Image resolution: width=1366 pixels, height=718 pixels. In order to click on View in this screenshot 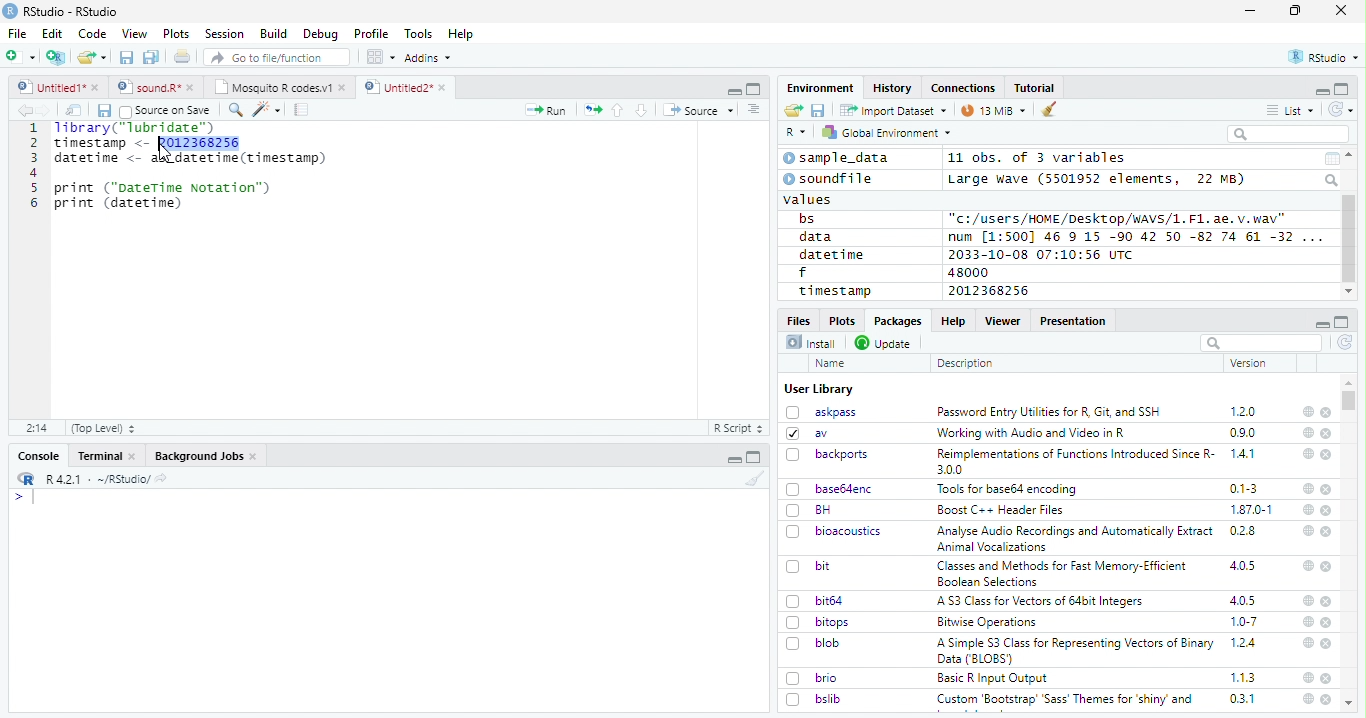, I will do `click(135, 34)`.